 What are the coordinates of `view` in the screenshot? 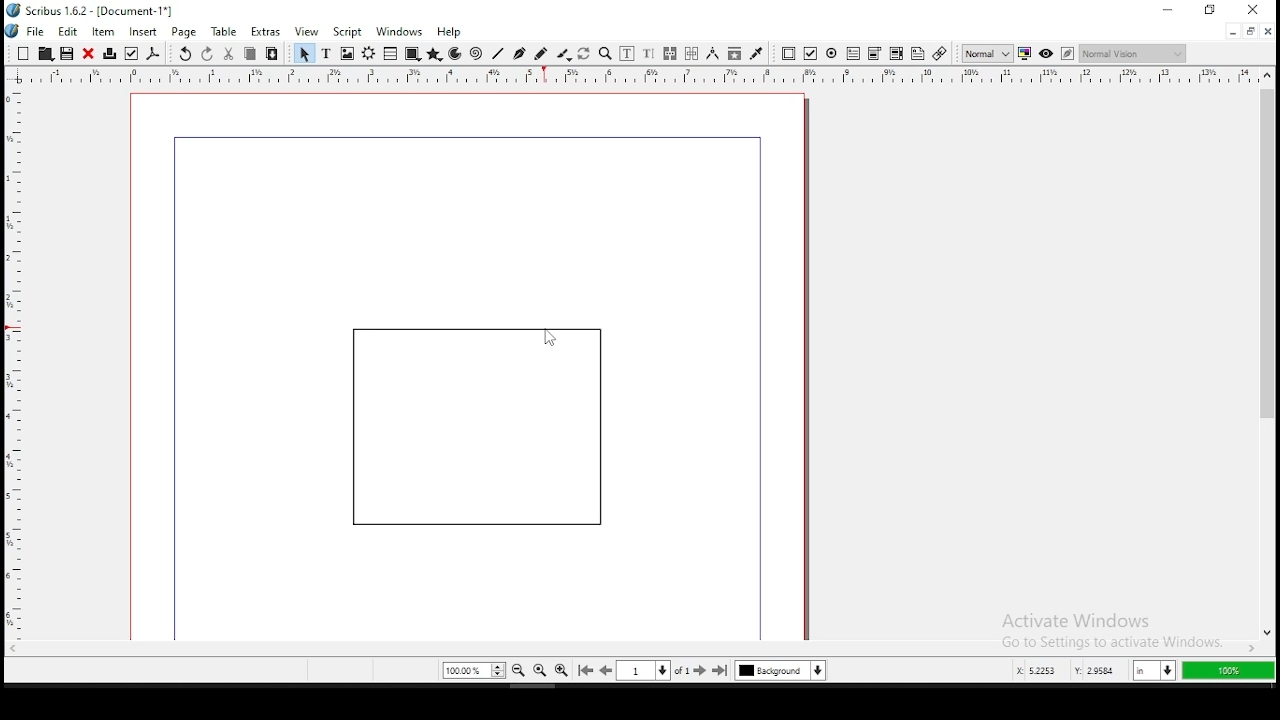 It's located at (307, 33).